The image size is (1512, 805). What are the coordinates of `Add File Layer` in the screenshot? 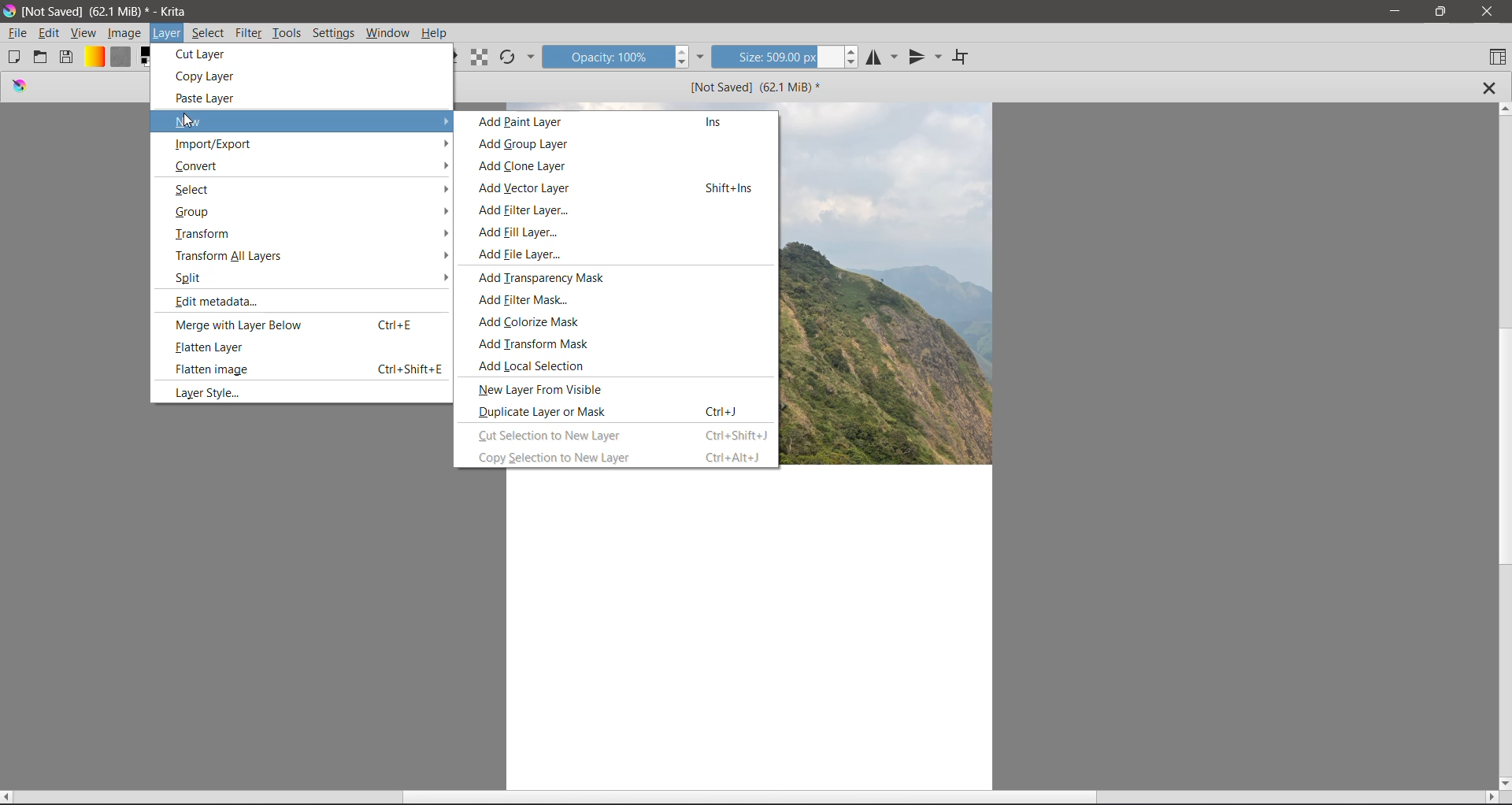 It's located at (525, 255).